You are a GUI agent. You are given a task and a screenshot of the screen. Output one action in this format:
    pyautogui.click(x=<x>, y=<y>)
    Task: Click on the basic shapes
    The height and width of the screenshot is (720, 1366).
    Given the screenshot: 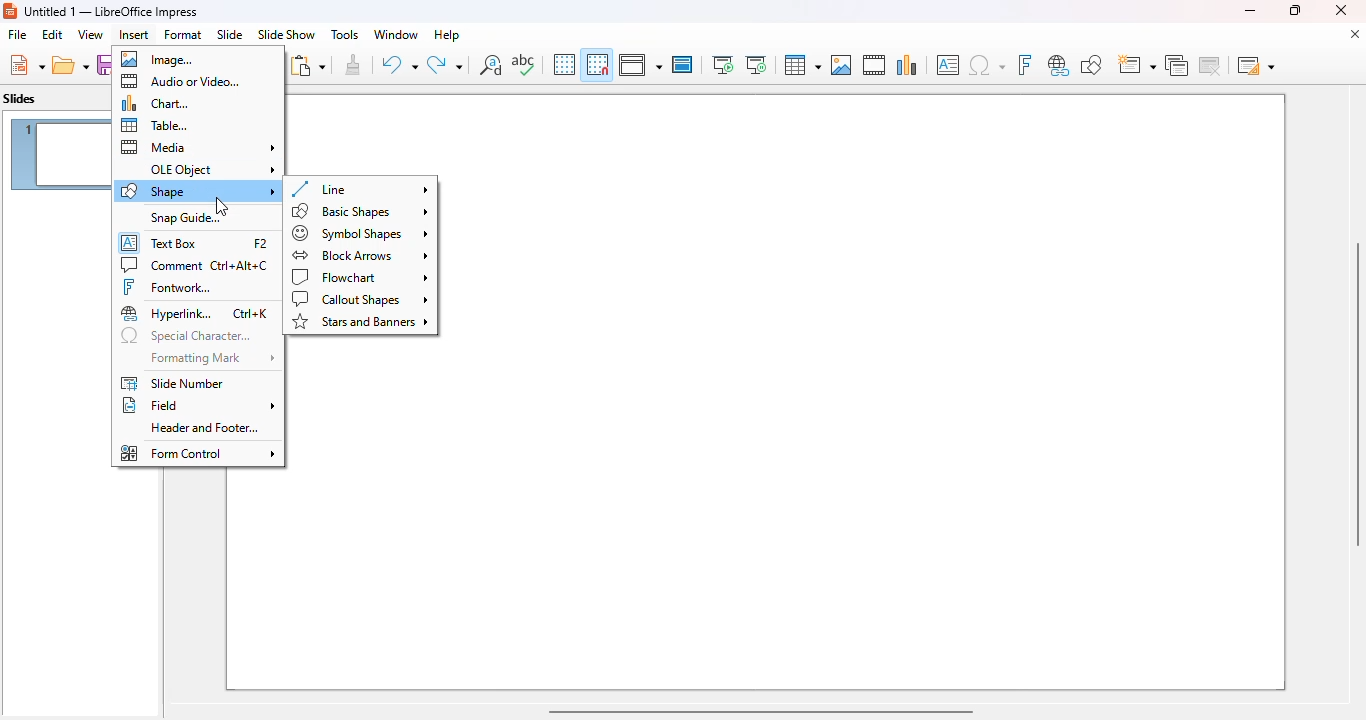 What is the action you would take?
    pyautogui.click(x=361, y=211)
    